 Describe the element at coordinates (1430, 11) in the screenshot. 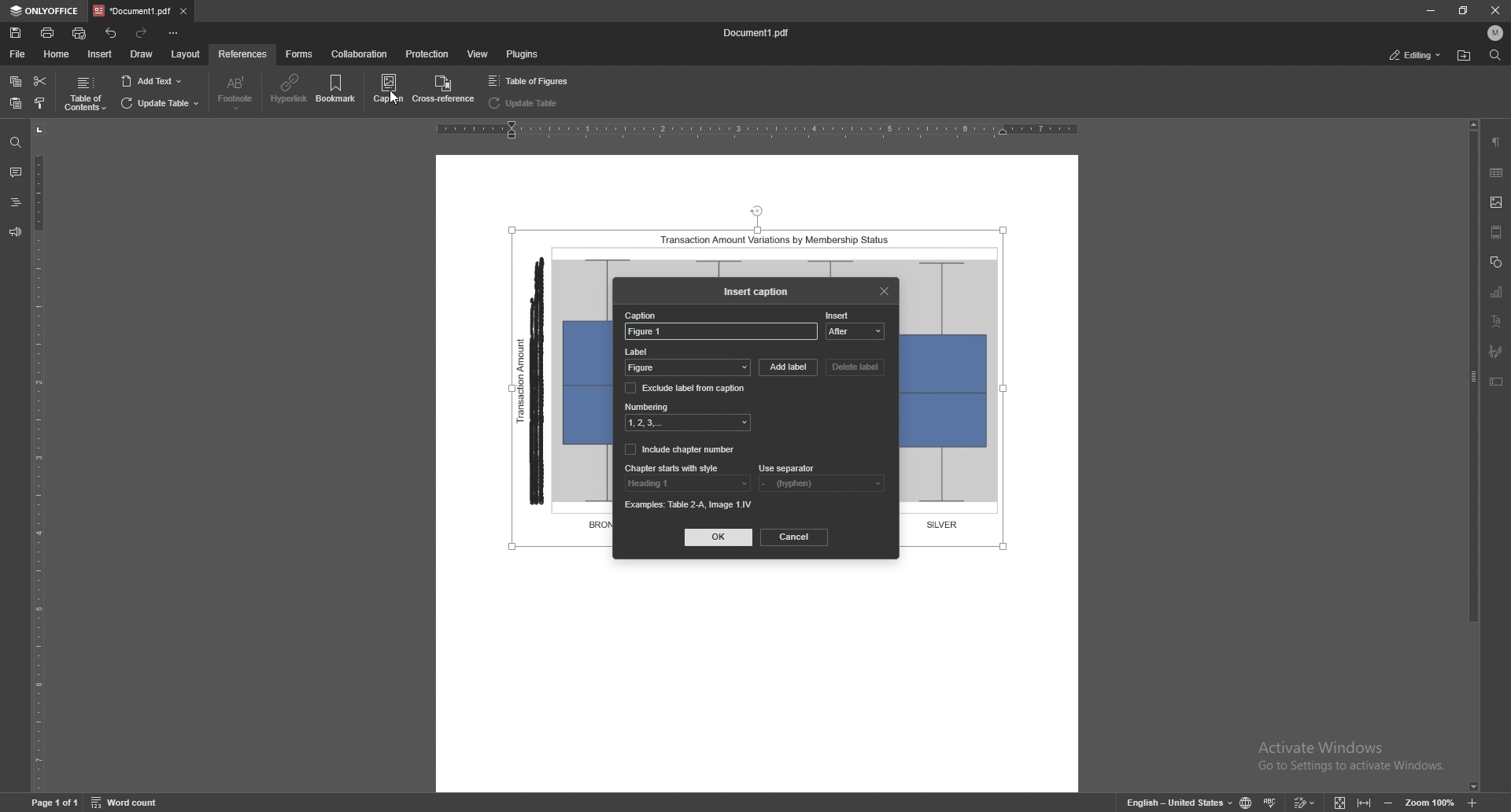

I see `minimize` at that location.